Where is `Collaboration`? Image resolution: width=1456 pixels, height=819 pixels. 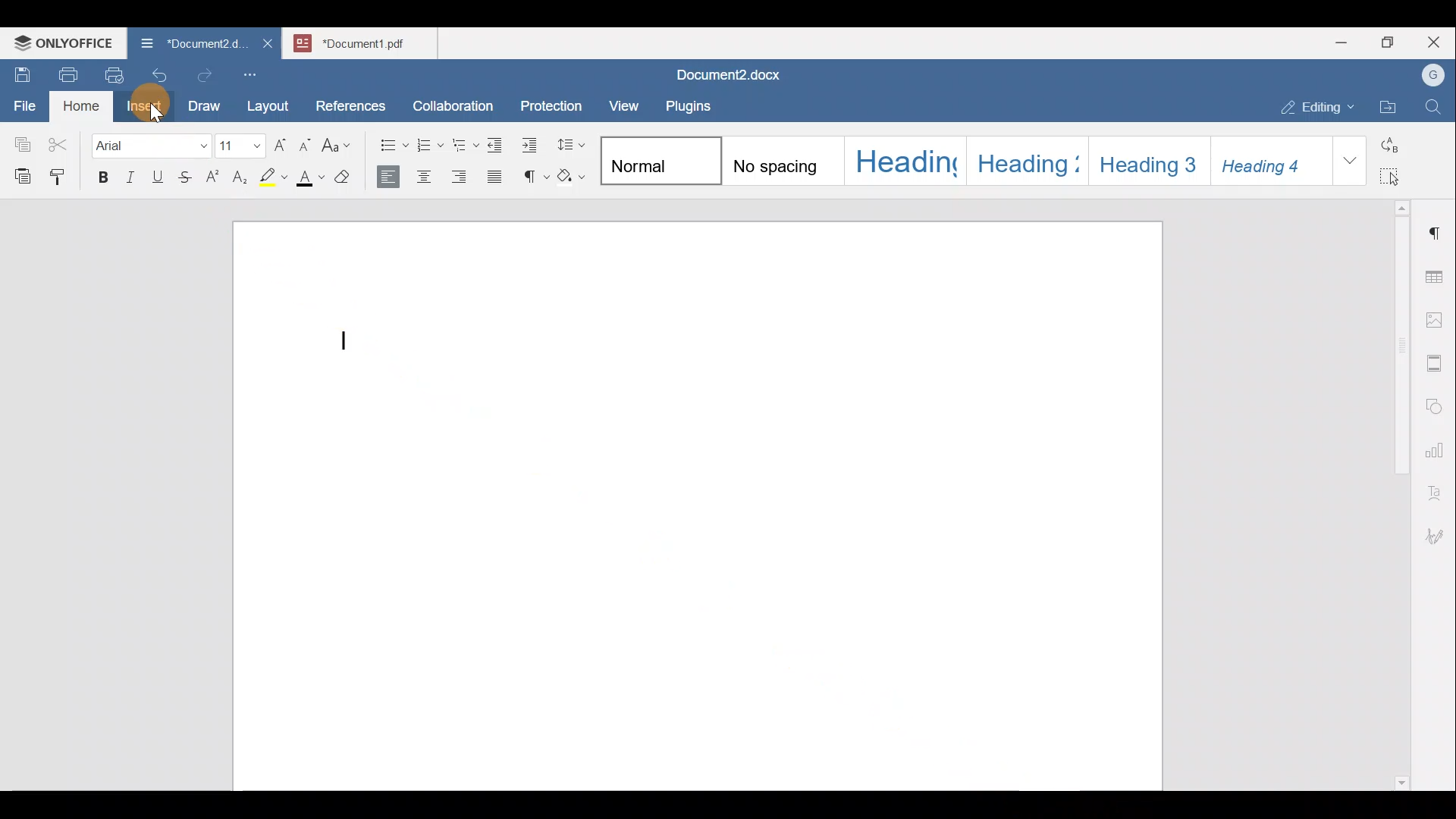 Collaboration is located at coordinates (450, 98).